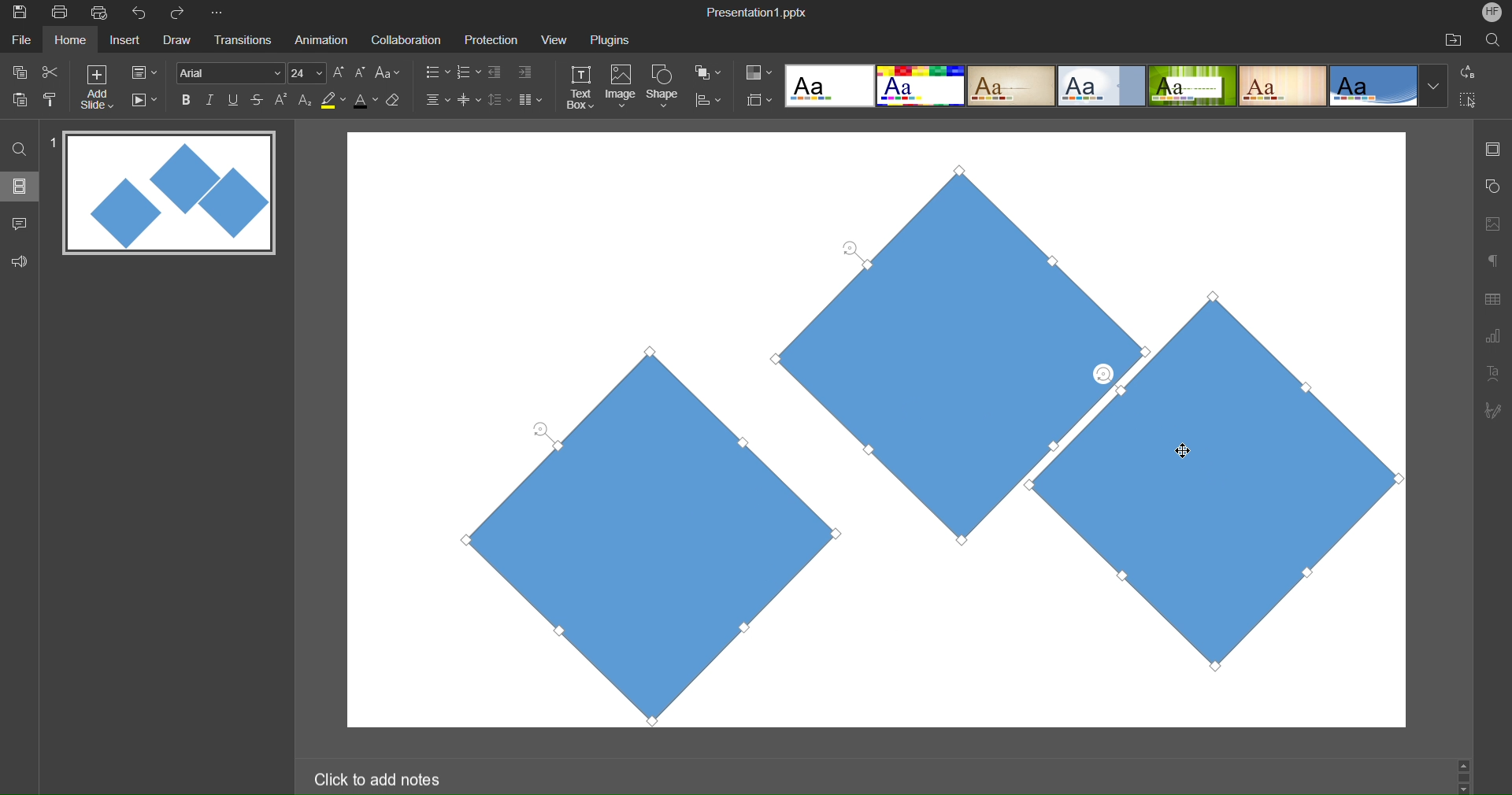  Describe the element at coordinates (18, 13) in the screenshot. I see `Save` at that location.